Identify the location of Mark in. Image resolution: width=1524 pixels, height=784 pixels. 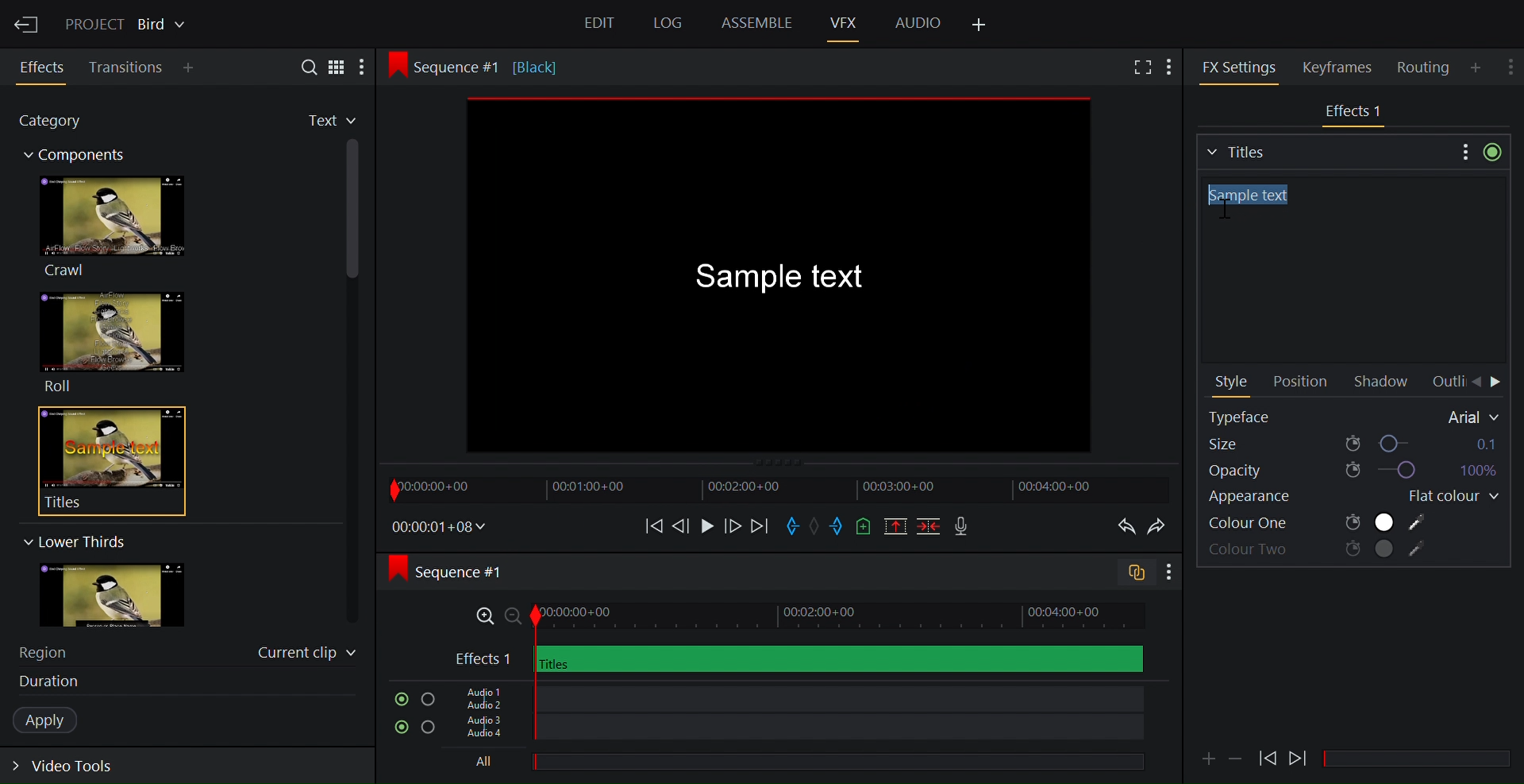
(795, 525).